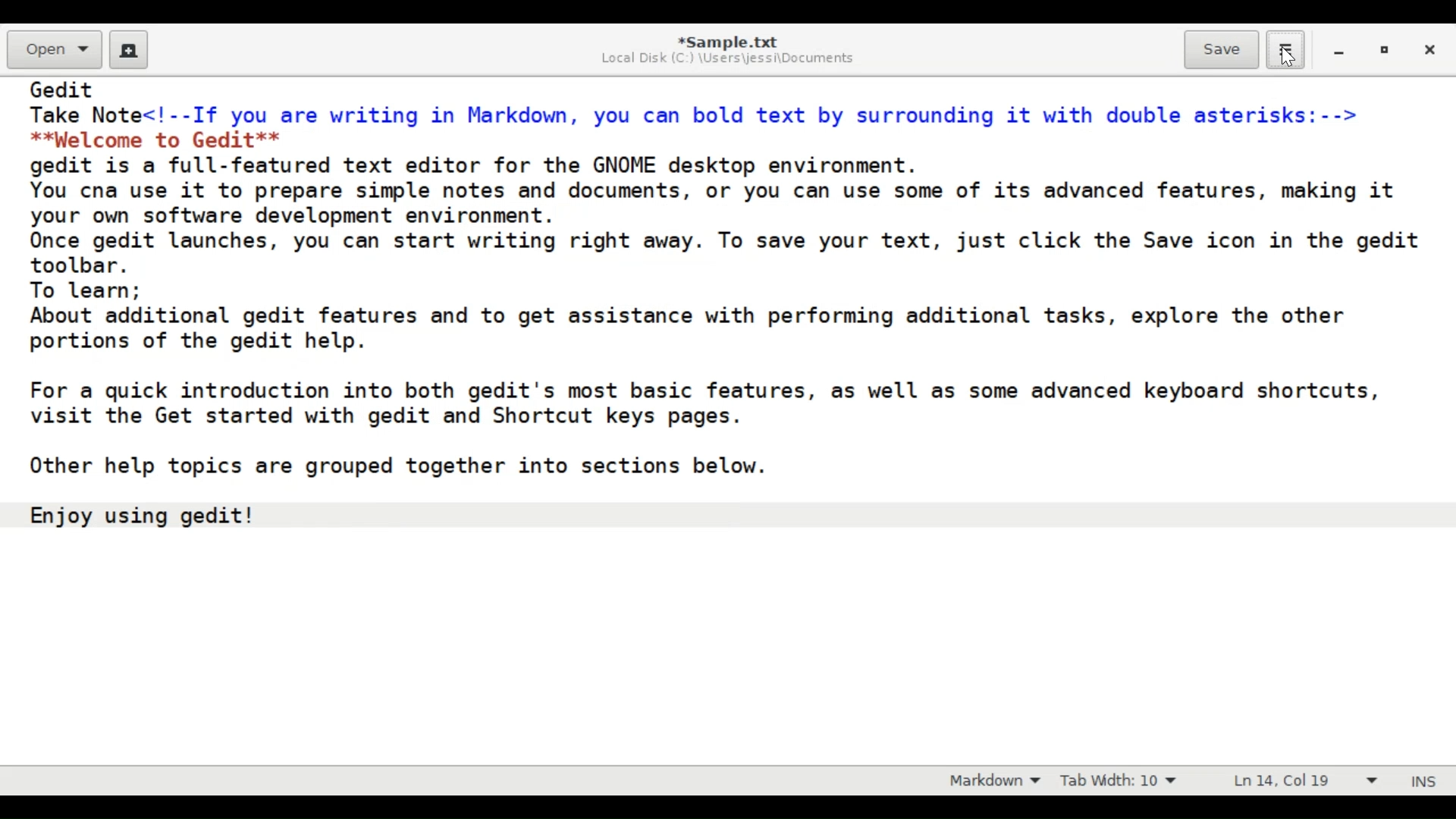 Image resolution: width=1456 pixels, height=819 pixels. I want to click on Cursor, so click(1286, 60).